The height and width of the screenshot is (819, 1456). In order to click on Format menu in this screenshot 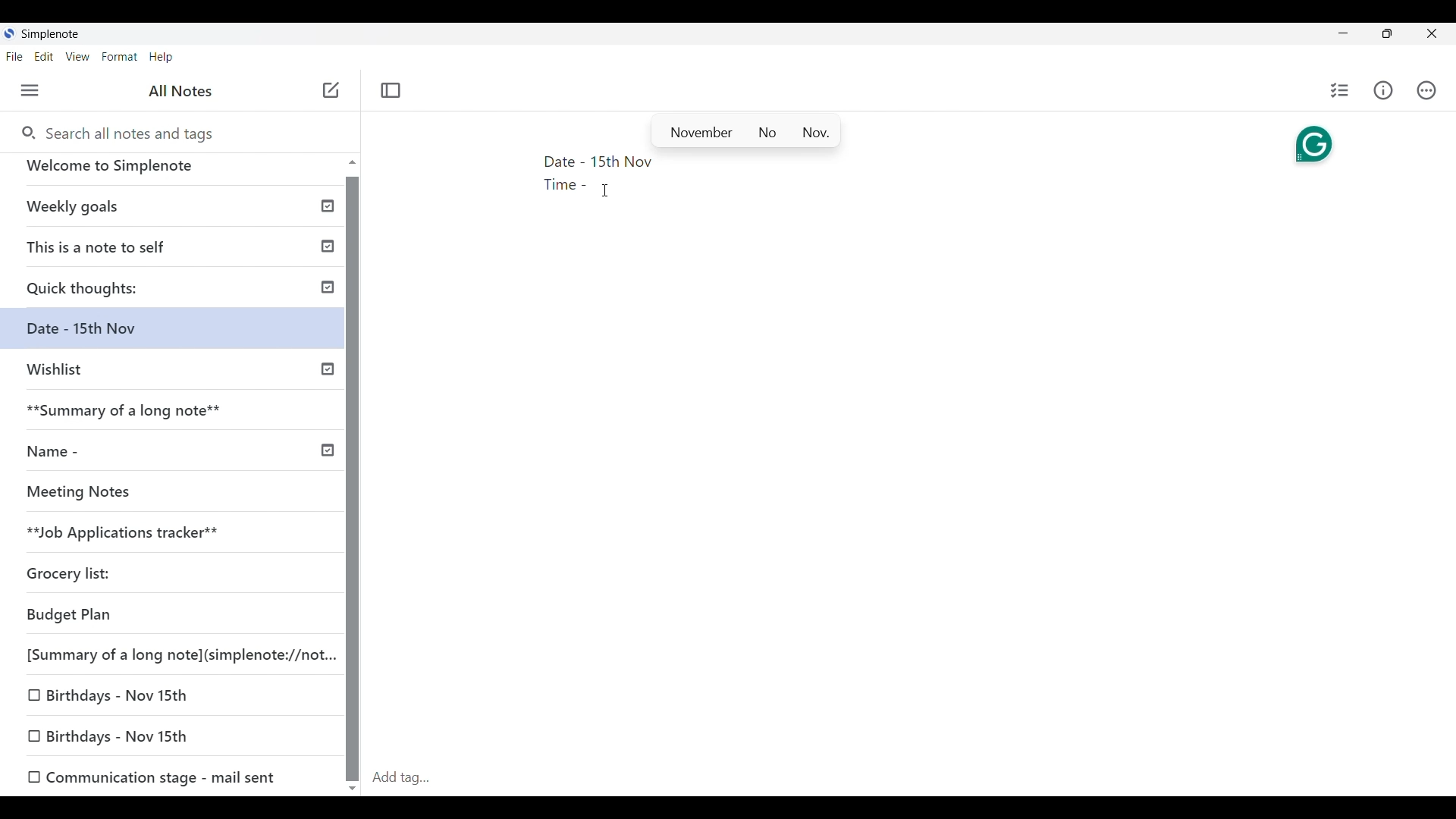, I will do `click(120, 57)`.